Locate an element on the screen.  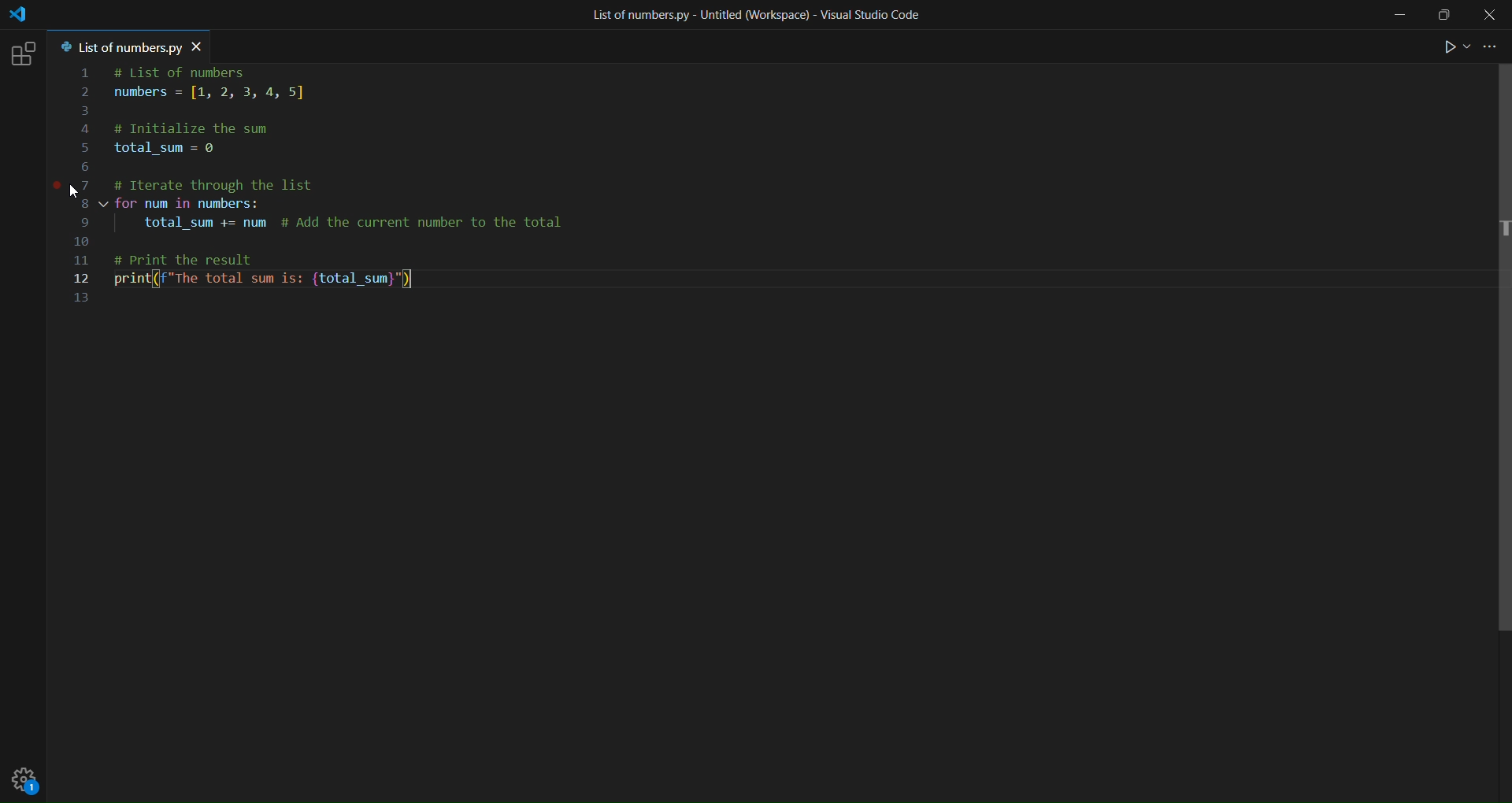
break point is located at coordinates (54, 187).